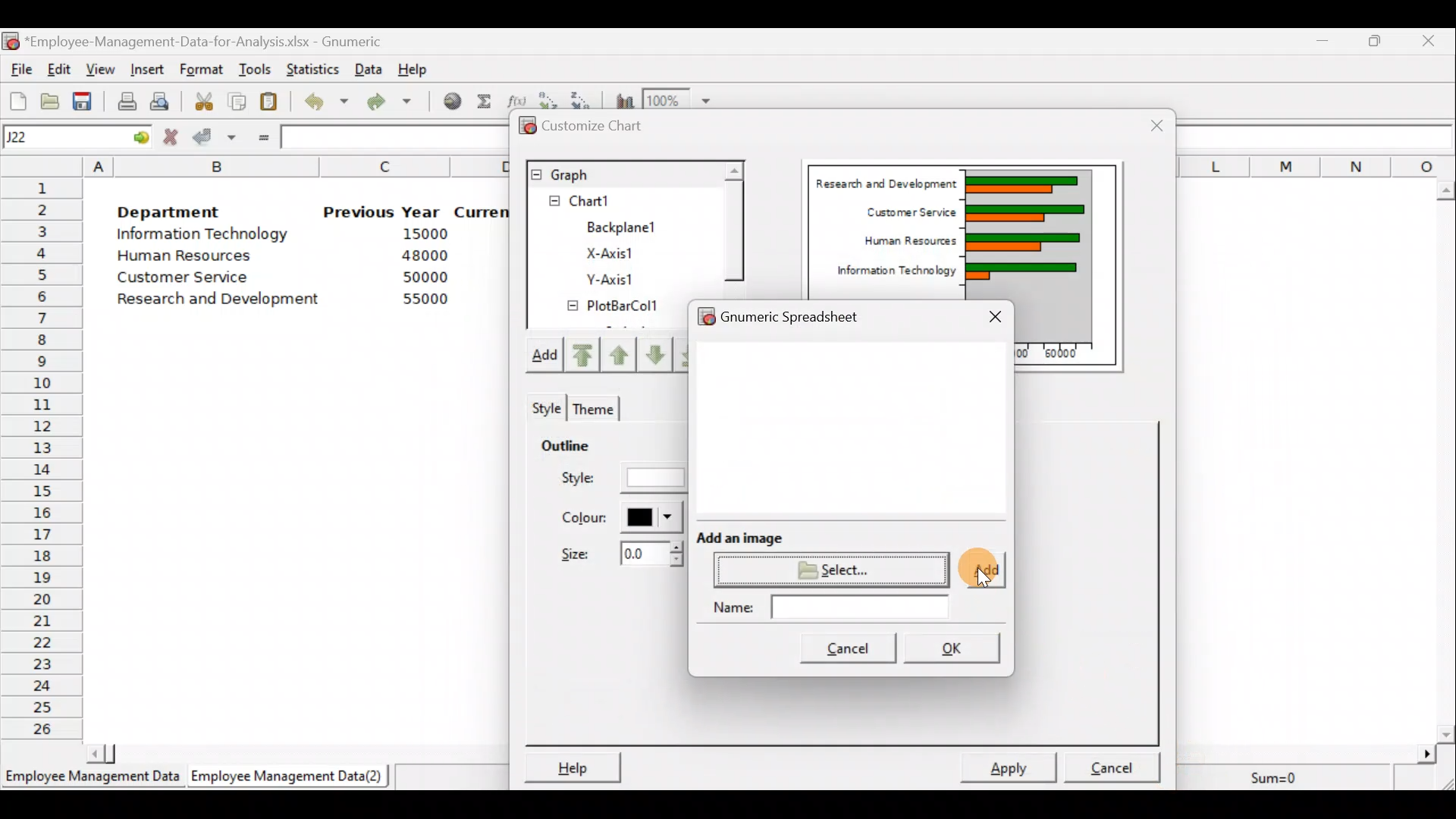  What do you see at coordinates (608, 281) in the screenshot?
I see `Y-axis1` at bounding box center [608, 281].